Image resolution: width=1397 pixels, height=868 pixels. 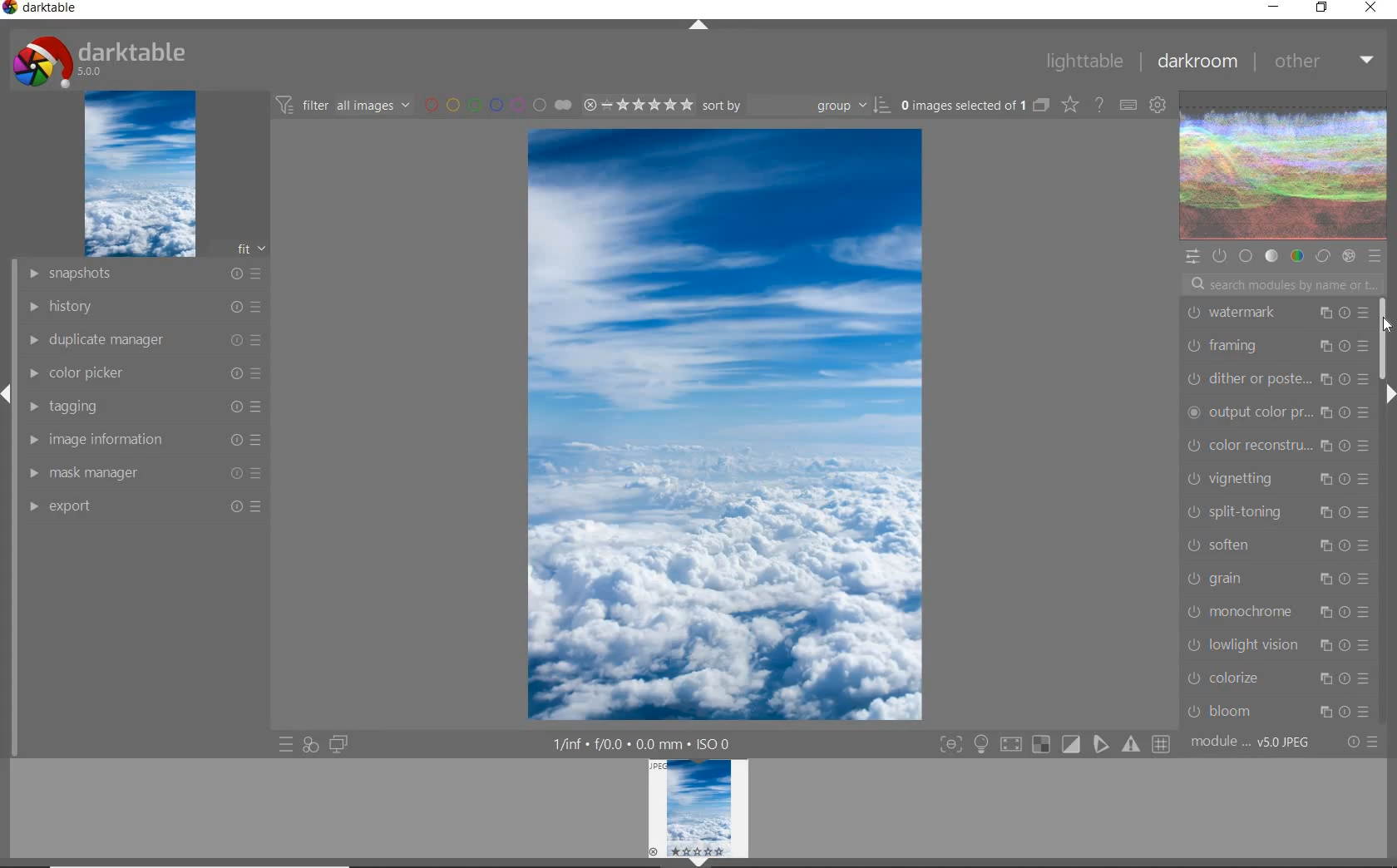 I want to click on OUTPUT COLOR PRESET, so click(x=1279, y=411).